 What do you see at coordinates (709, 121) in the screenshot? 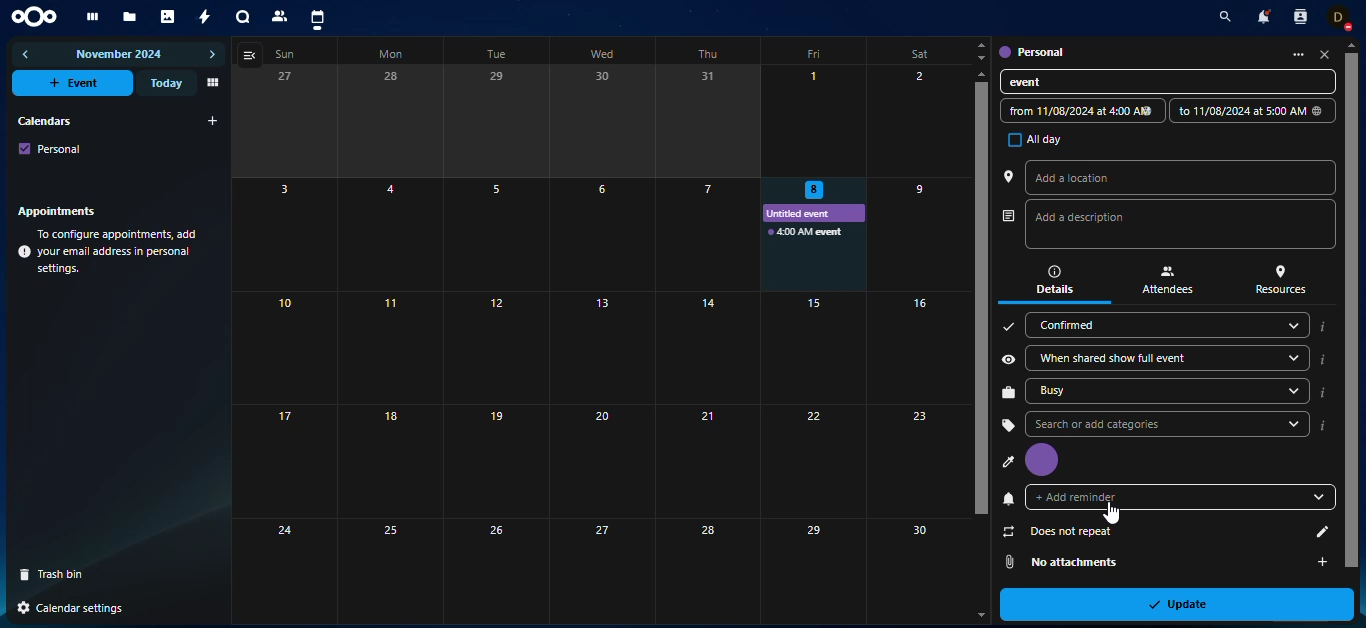
I see `31` at bounding box center [709, 121].